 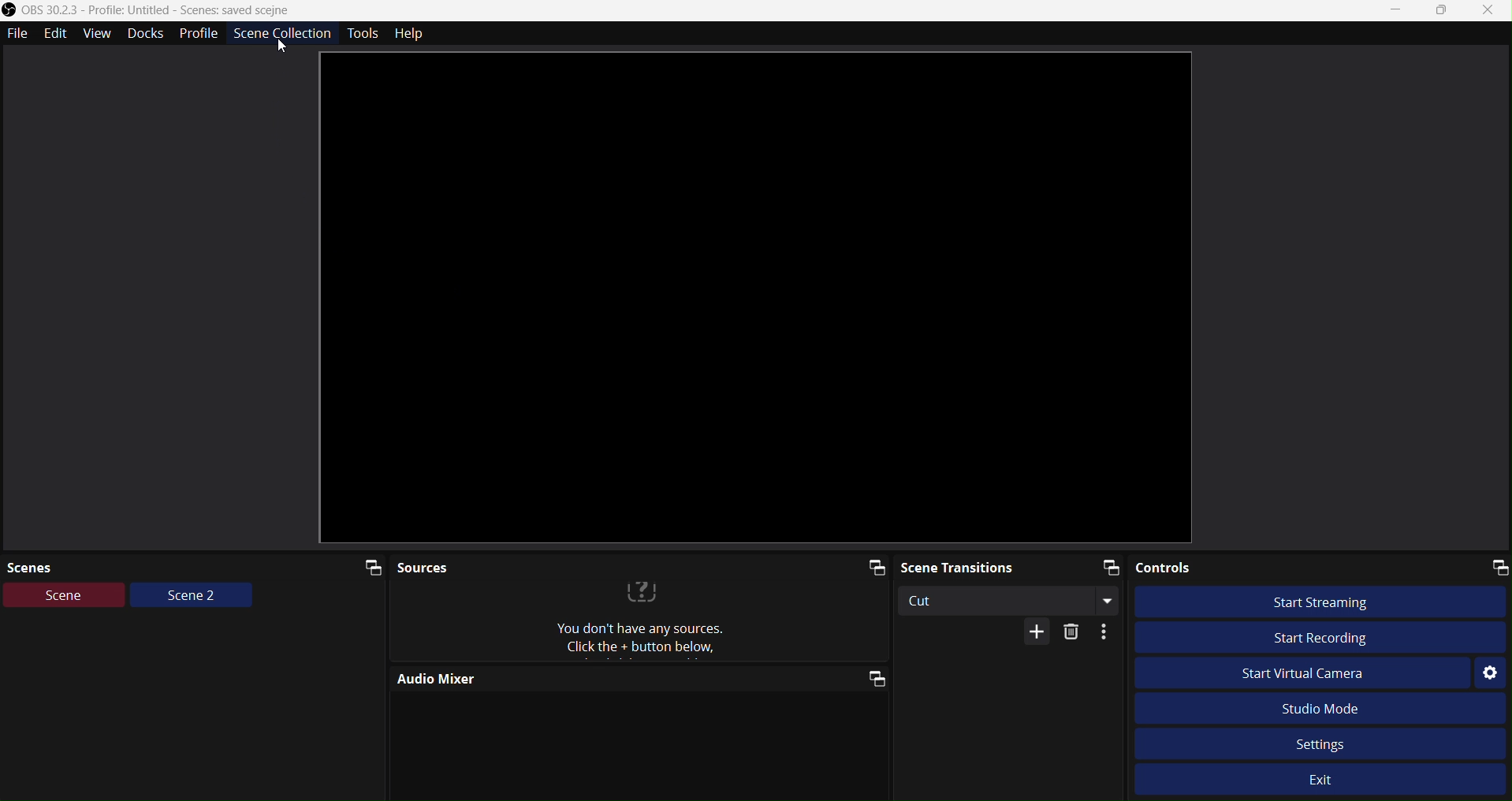 What do you see at coordinates (1014, 600) in the screenshot?
I see `Cut` at bounding box center [1014, 600].